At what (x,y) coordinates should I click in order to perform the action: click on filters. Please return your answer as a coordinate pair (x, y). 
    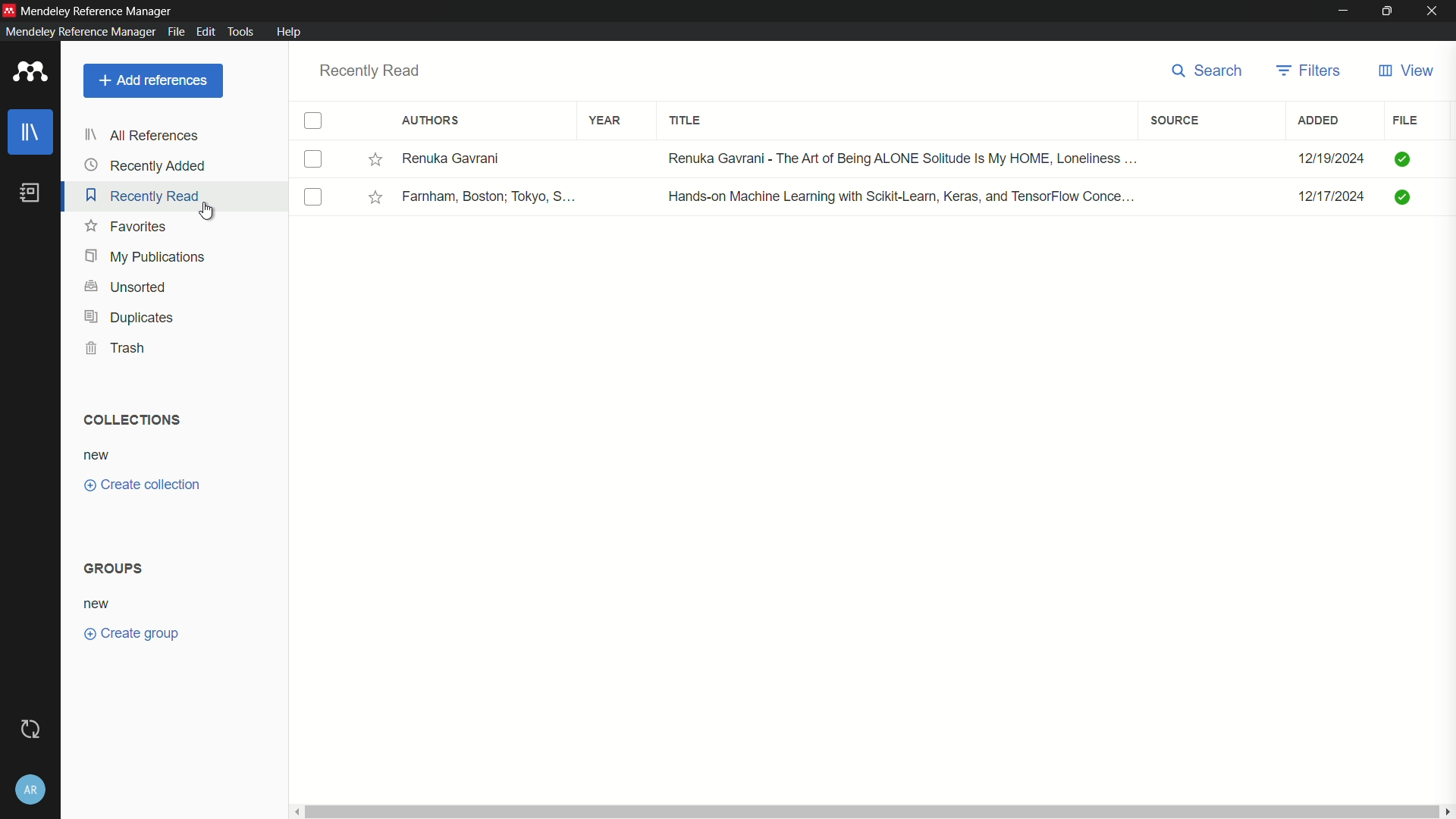
    Looking at the image, I should click on (1310, 72).